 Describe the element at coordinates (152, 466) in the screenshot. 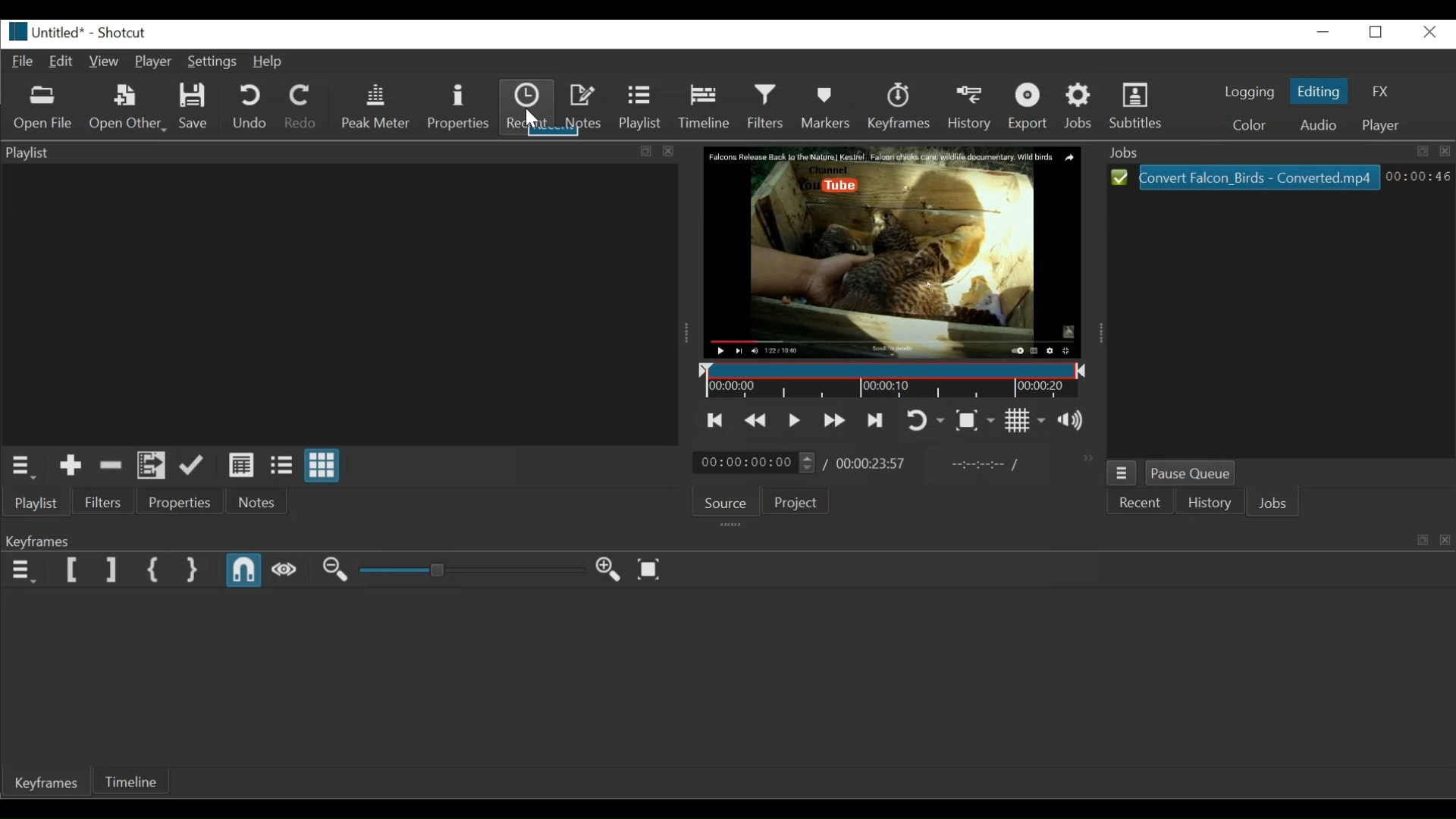

I see `Add files to the Playlist ` at that location.